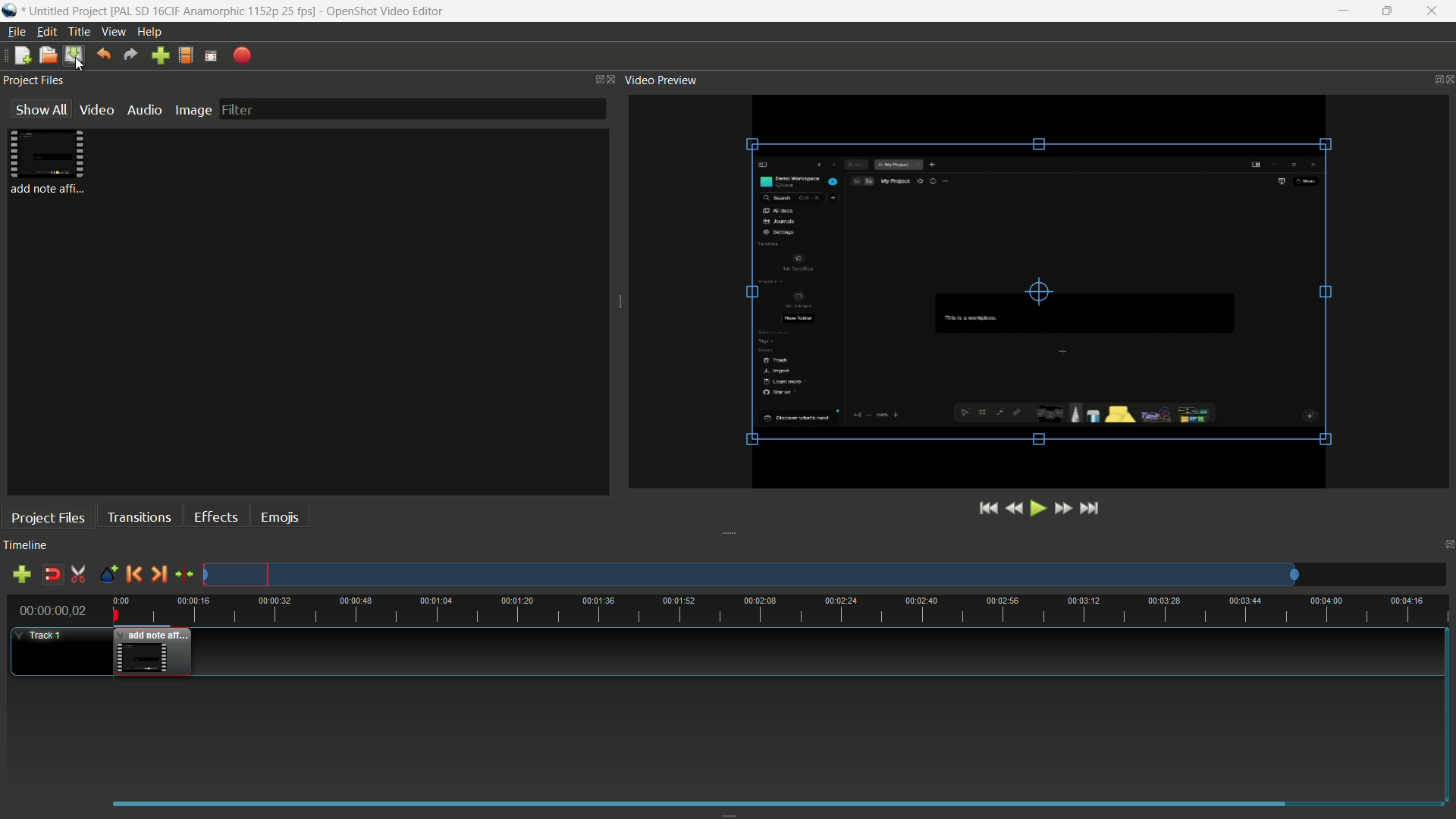  I want to click on Openshot Icon, so click(10, 11).